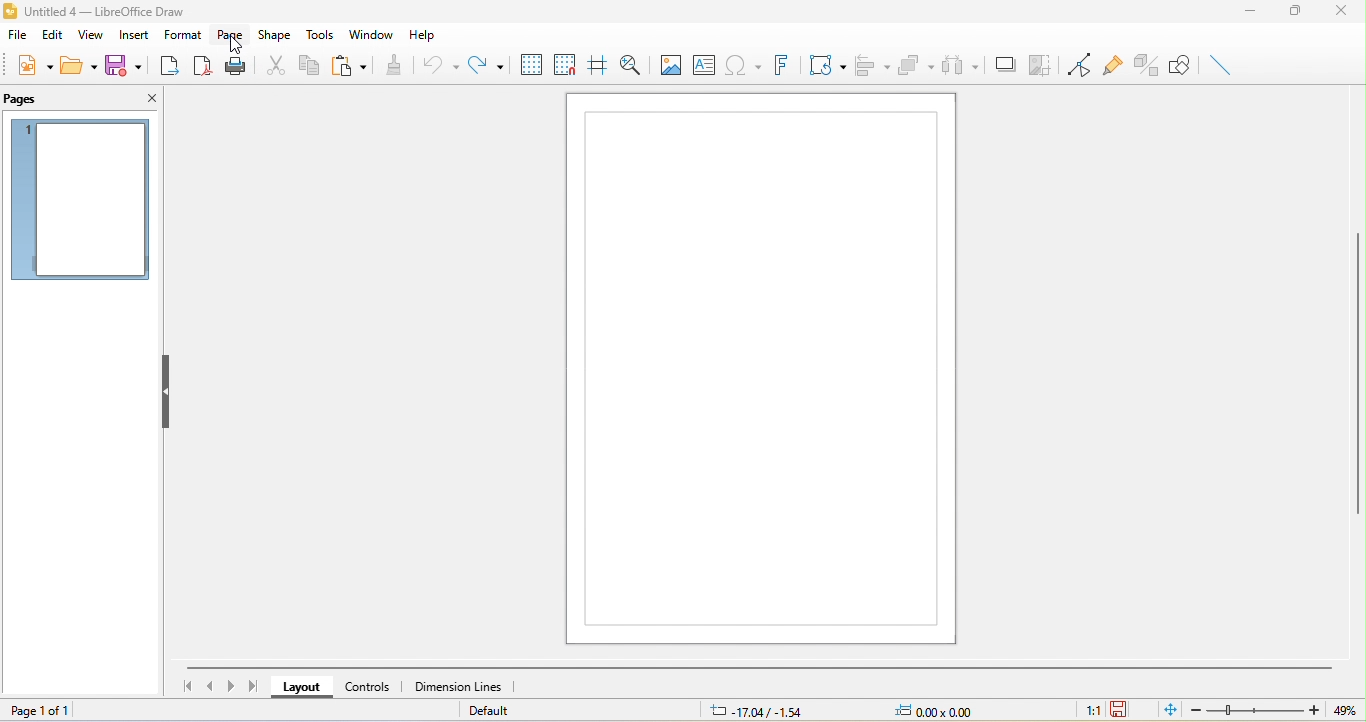 This screenshot has height=722, width=1366. Describe the element at coordinates (668, 64) in the screenshot. I see `image` at that location.